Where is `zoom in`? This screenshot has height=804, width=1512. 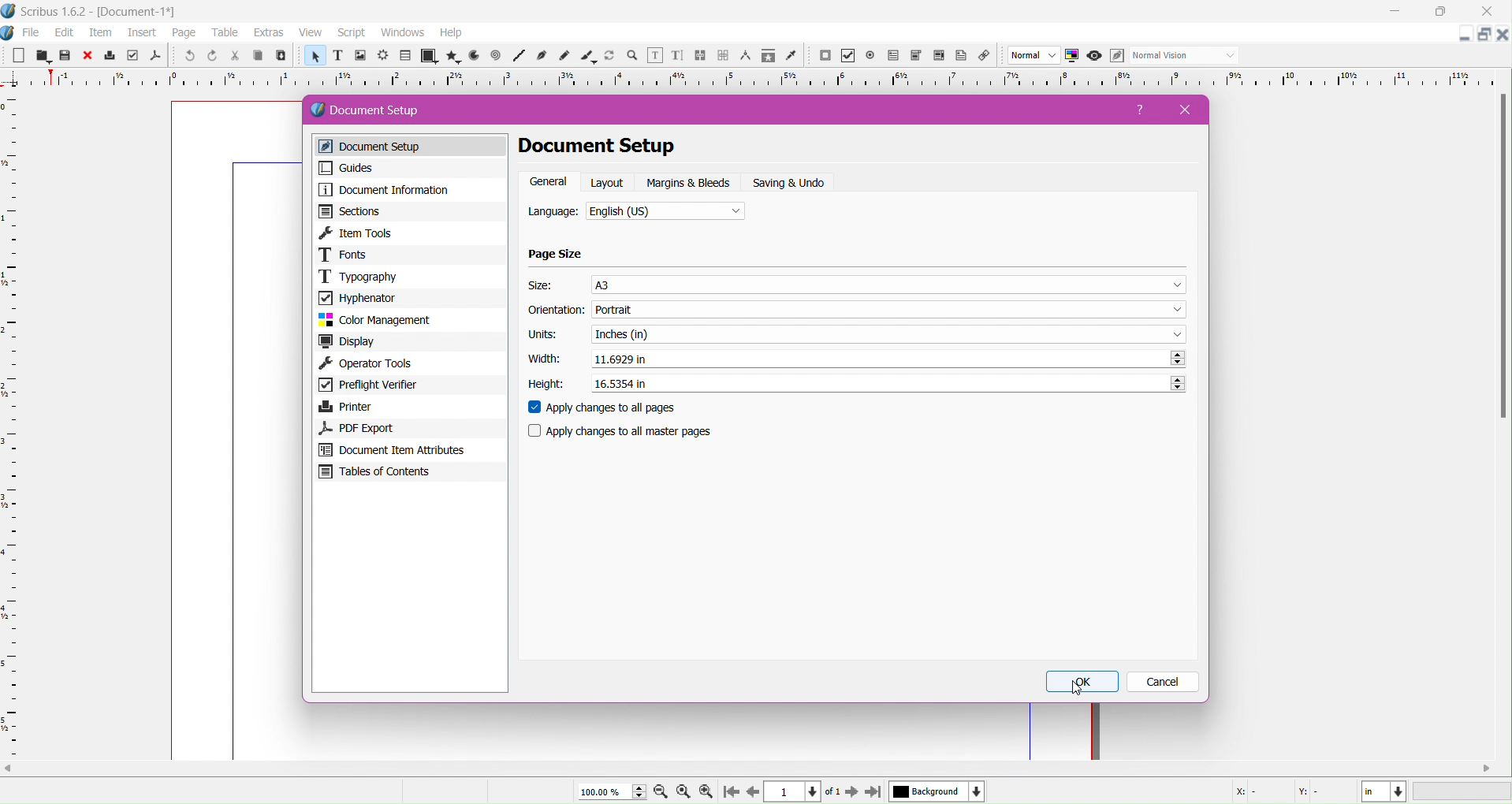 zoom in is located at coordinates (706, 792).